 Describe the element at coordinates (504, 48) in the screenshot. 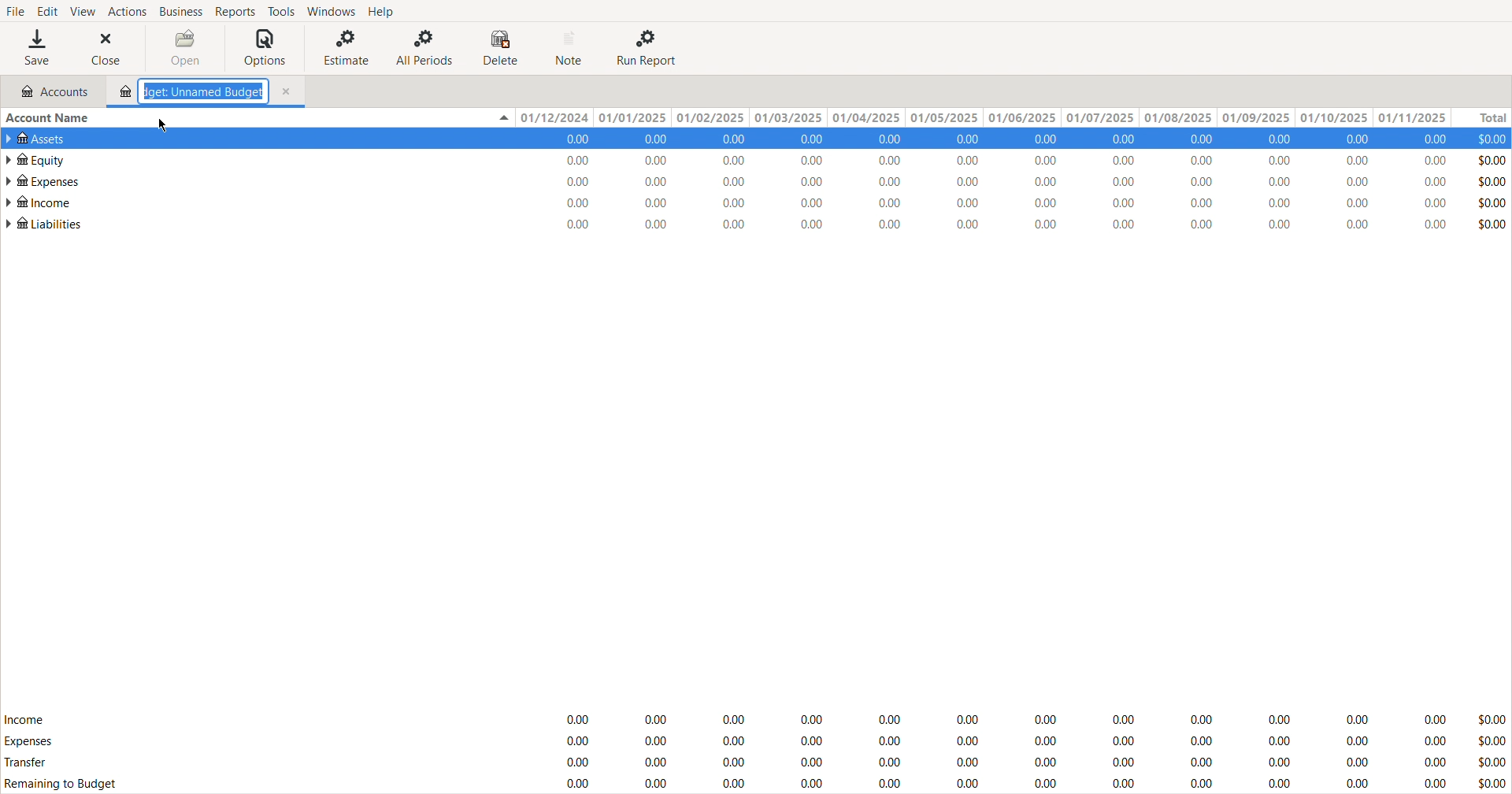

I see `Delete` at that location.